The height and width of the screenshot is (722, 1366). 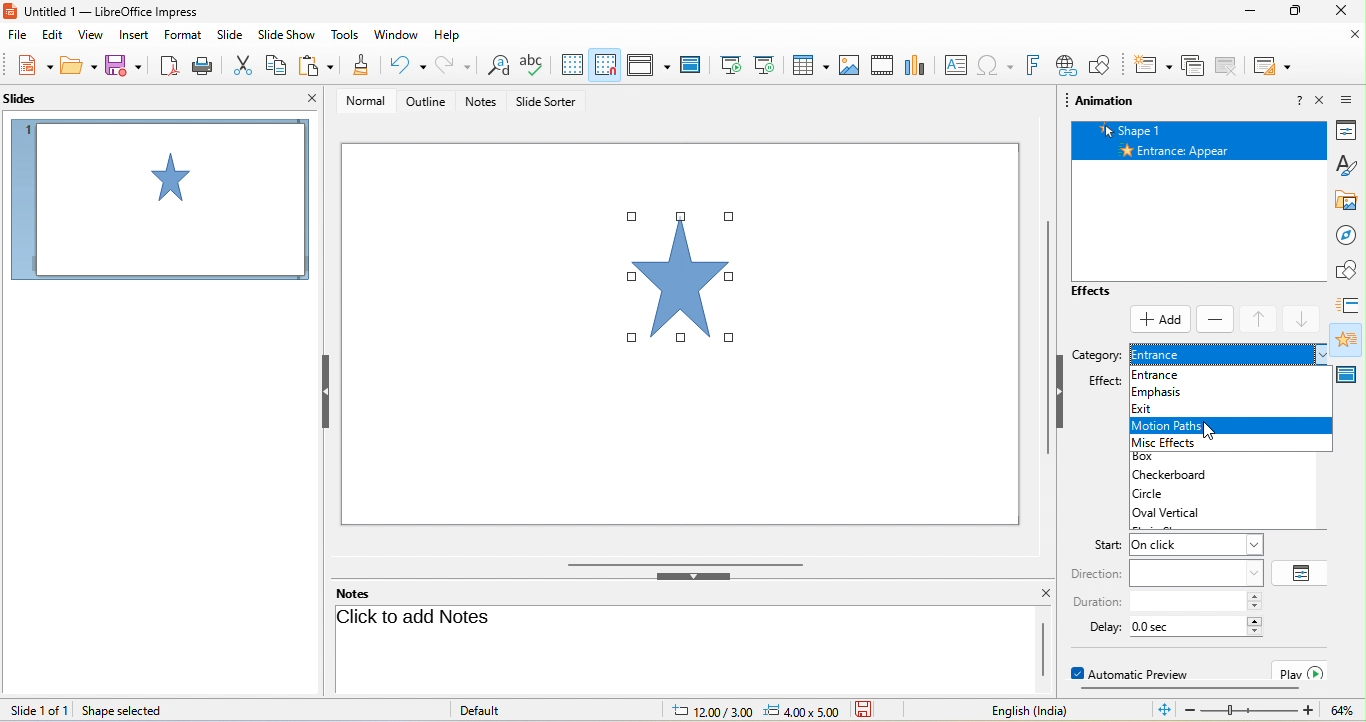 What do you see at coordinates (1273, 67) in the screenshot?
I see `slide layout` at bounding box center [1273, 67].